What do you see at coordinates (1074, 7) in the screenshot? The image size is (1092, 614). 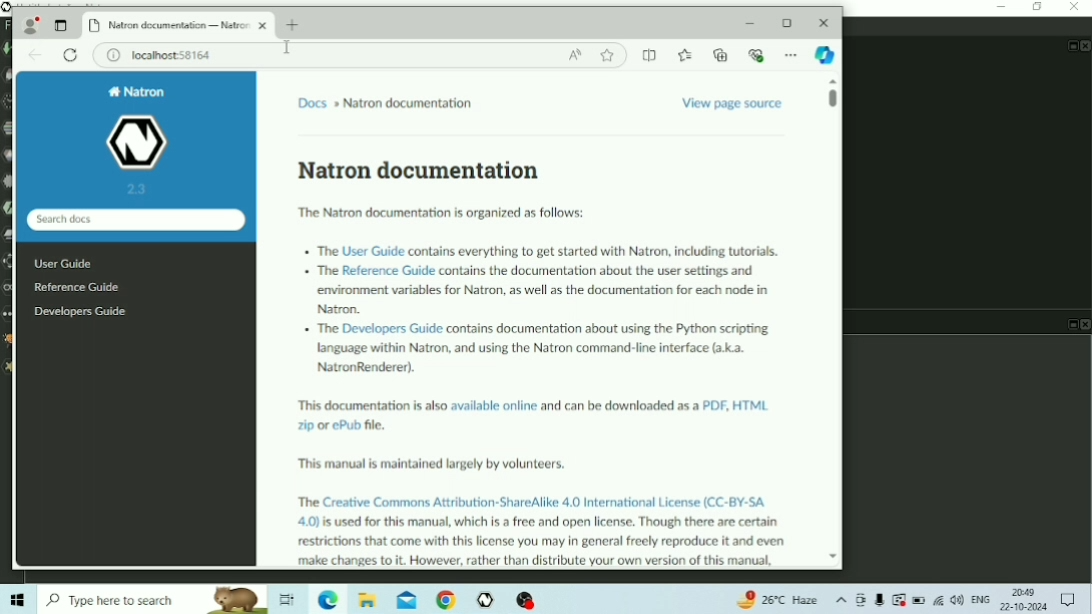 I see `Close` at bounding box center [1074, 7].